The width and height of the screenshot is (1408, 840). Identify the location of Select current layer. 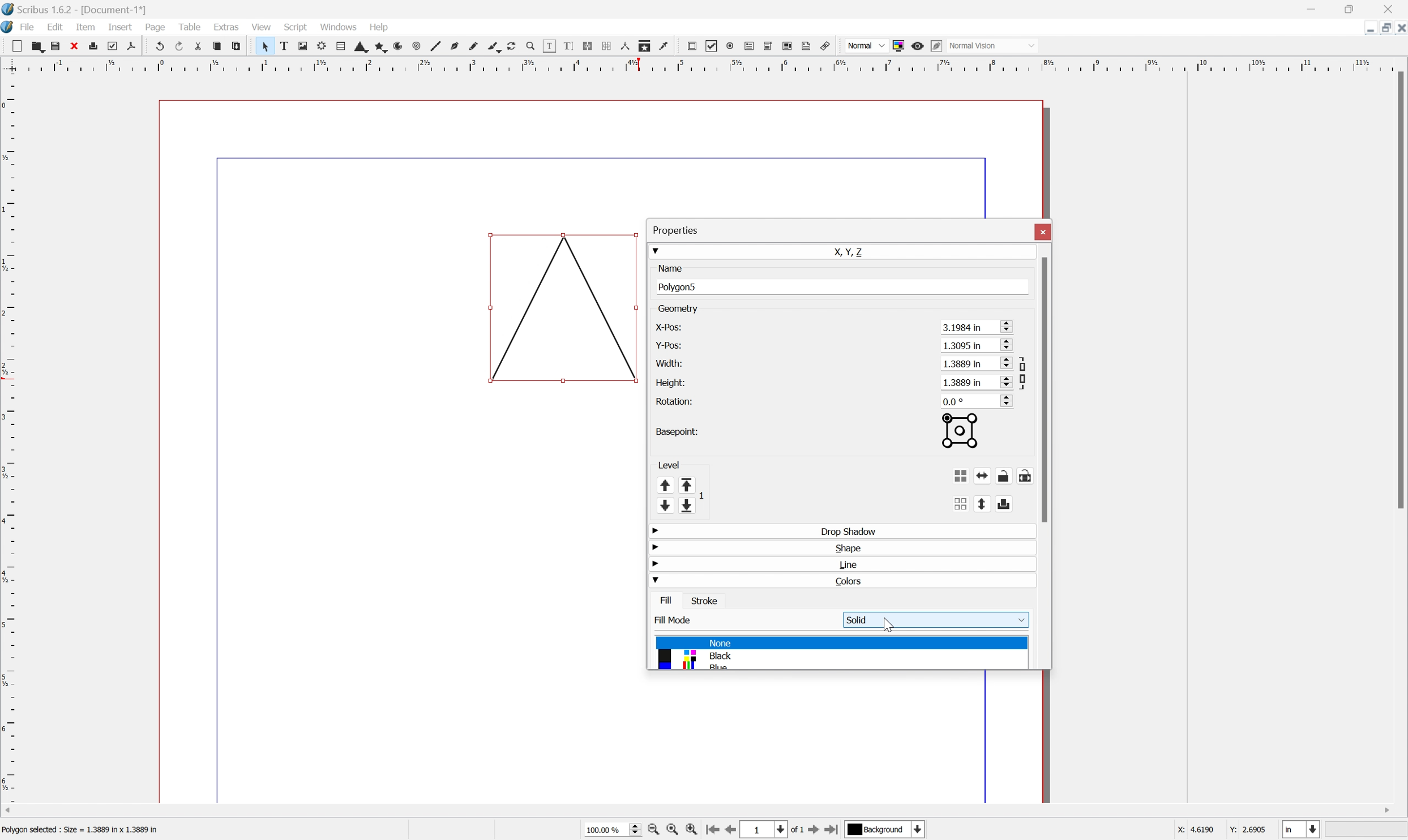
(920, 830).